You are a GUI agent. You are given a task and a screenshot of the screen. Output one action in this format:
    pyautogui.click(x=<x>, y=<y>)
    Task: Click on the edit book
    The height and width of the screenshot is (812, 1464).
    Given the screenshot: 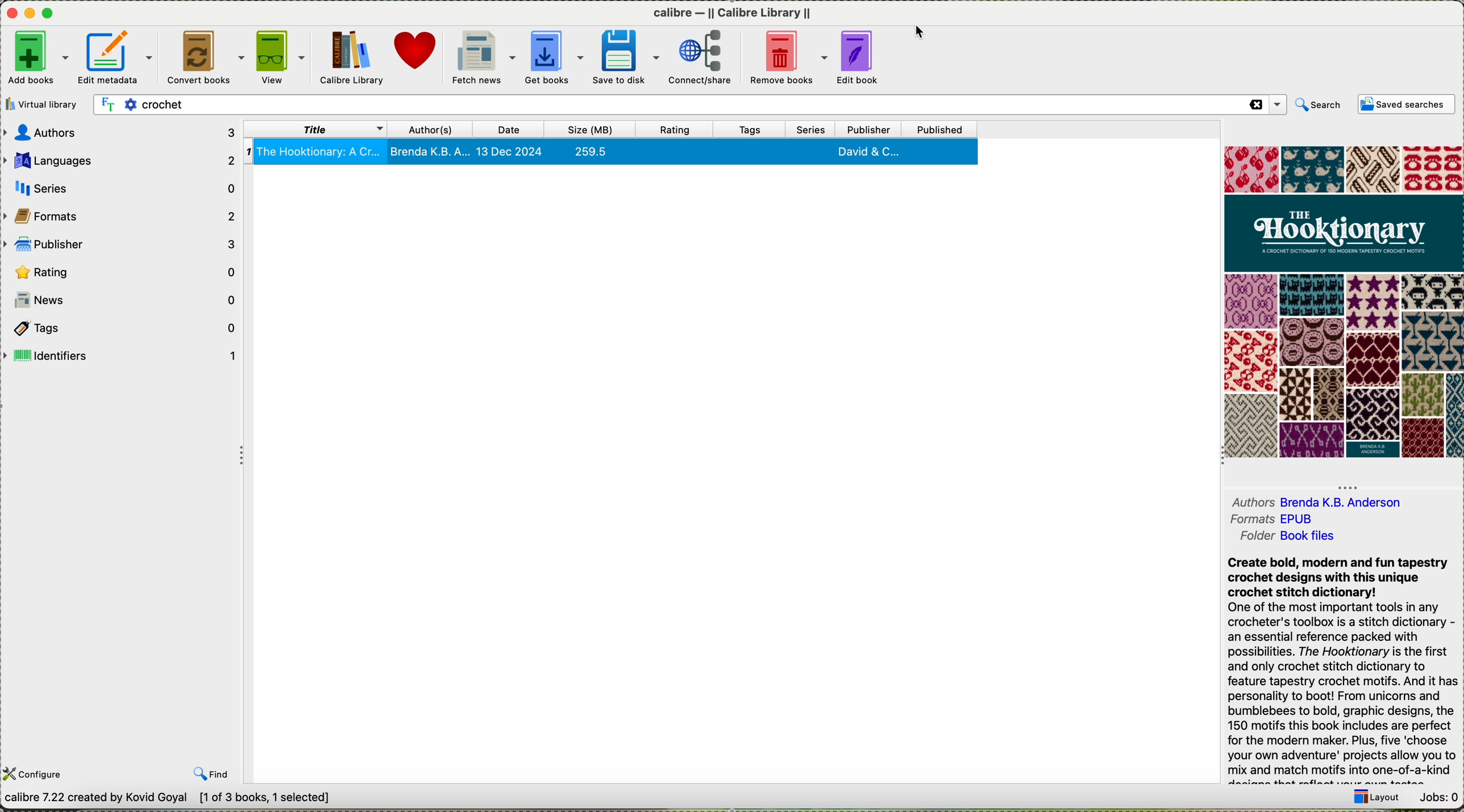 What is the action you would take?
    pyautogui.click(x=859, y=55)
    